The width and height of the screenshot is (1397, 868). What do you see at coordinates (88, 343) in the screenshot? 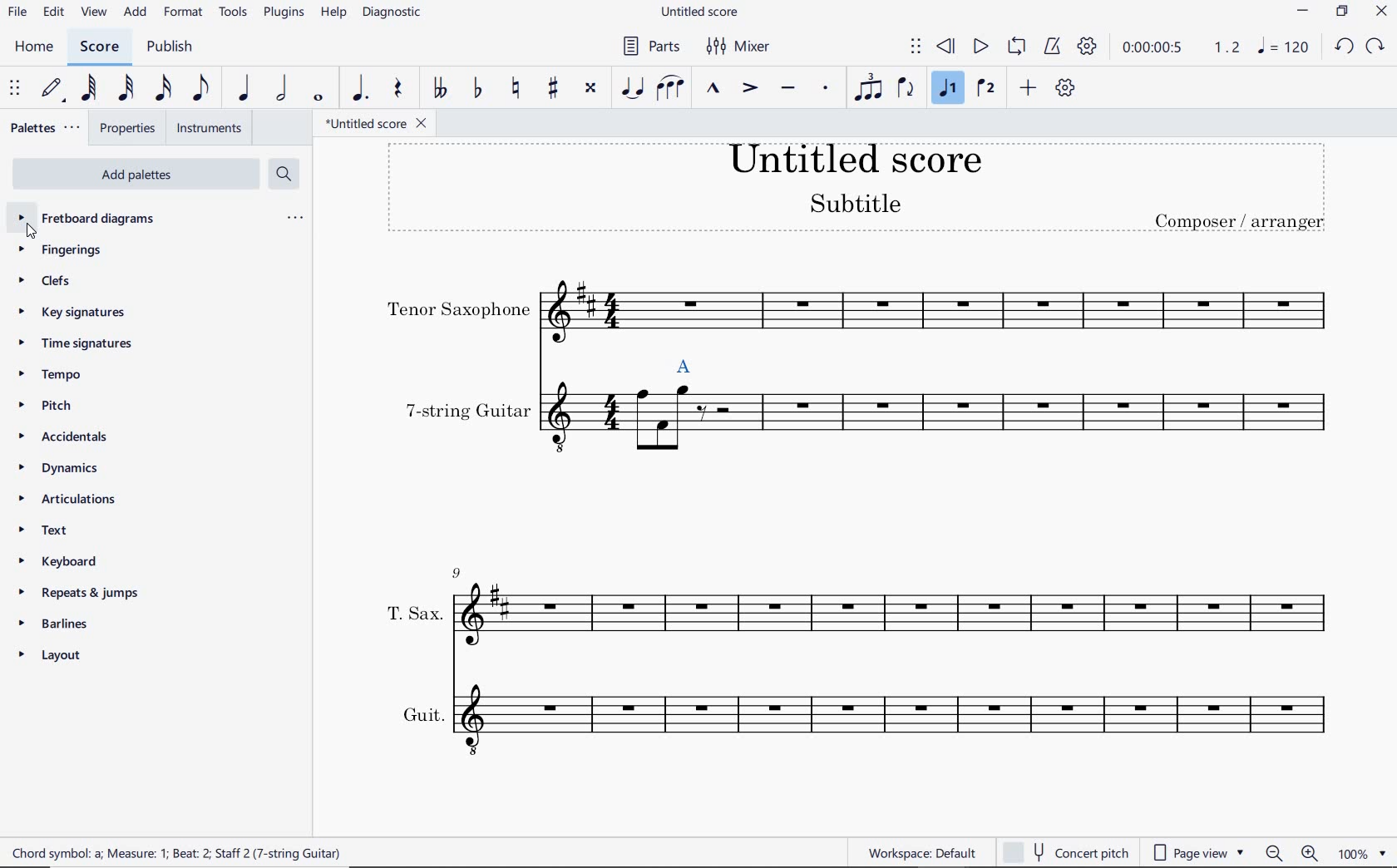
I see `TIME SIGNATURES` at bounding box center [88, 343].